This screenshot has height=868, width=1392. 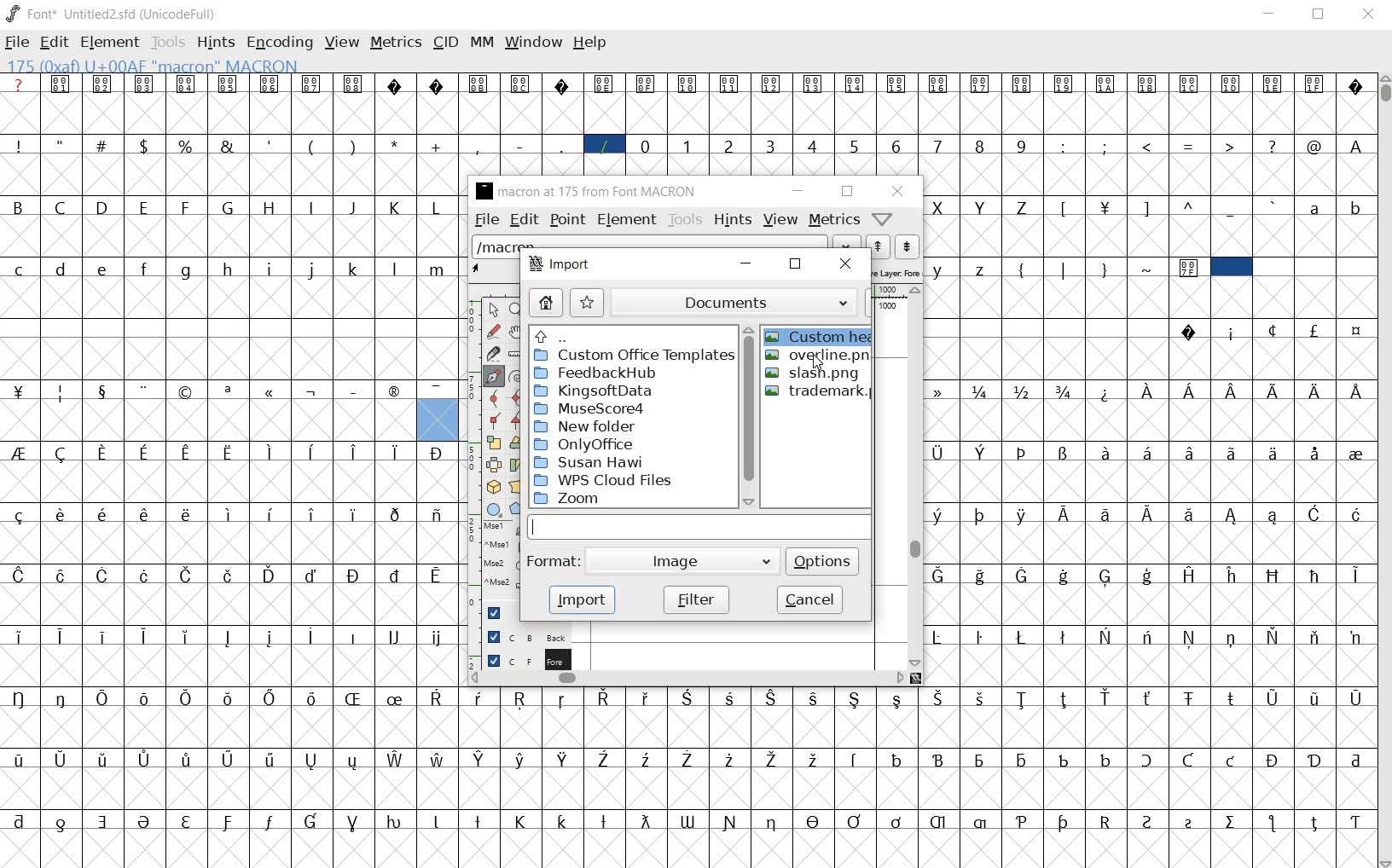 I want to click on Symbol, so click(x=271, y=452).